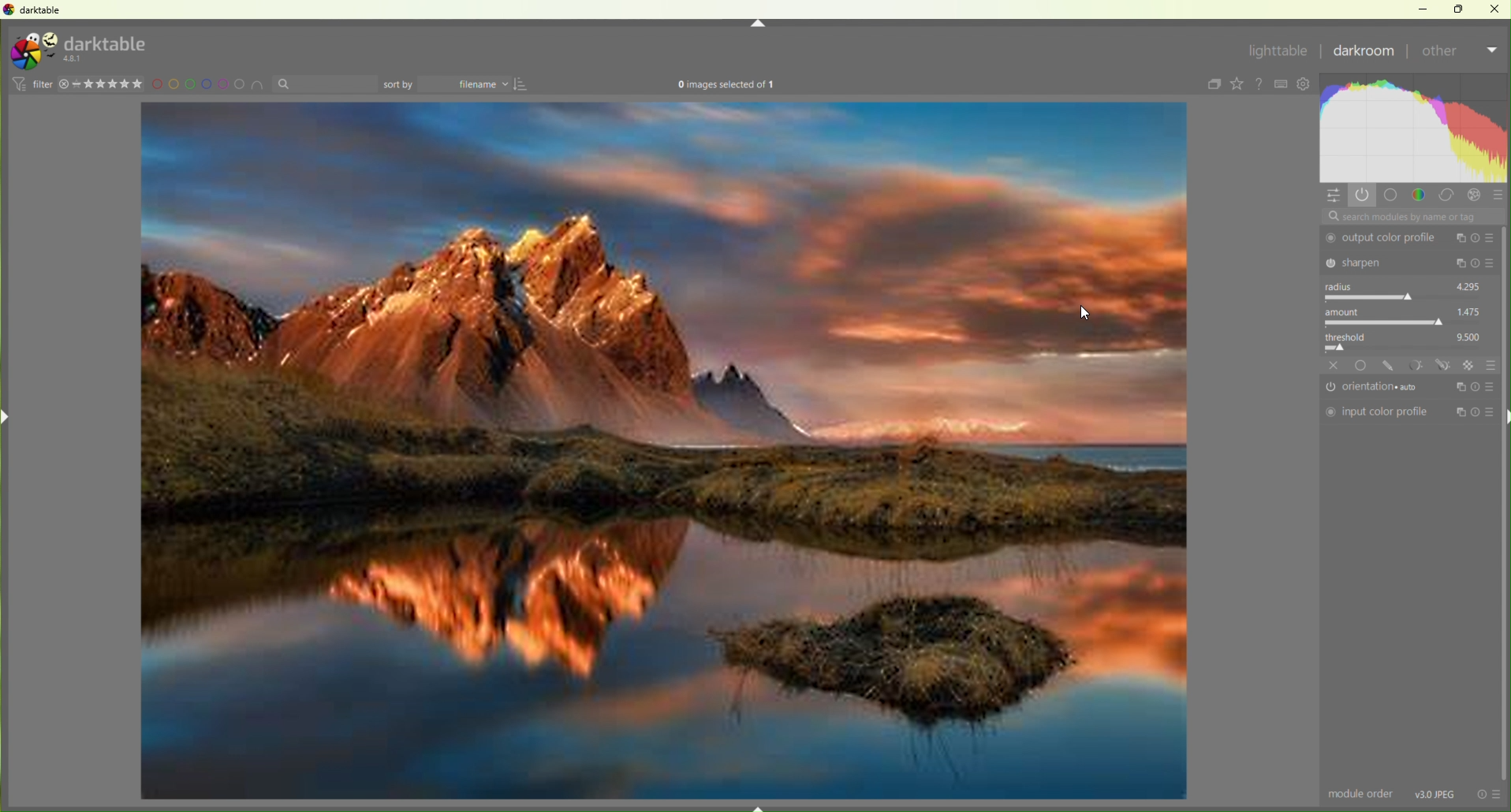  What do you see at coordinates (1489, 794) in the screenshot?
I see `actions` at bounding box center [1489, 794].